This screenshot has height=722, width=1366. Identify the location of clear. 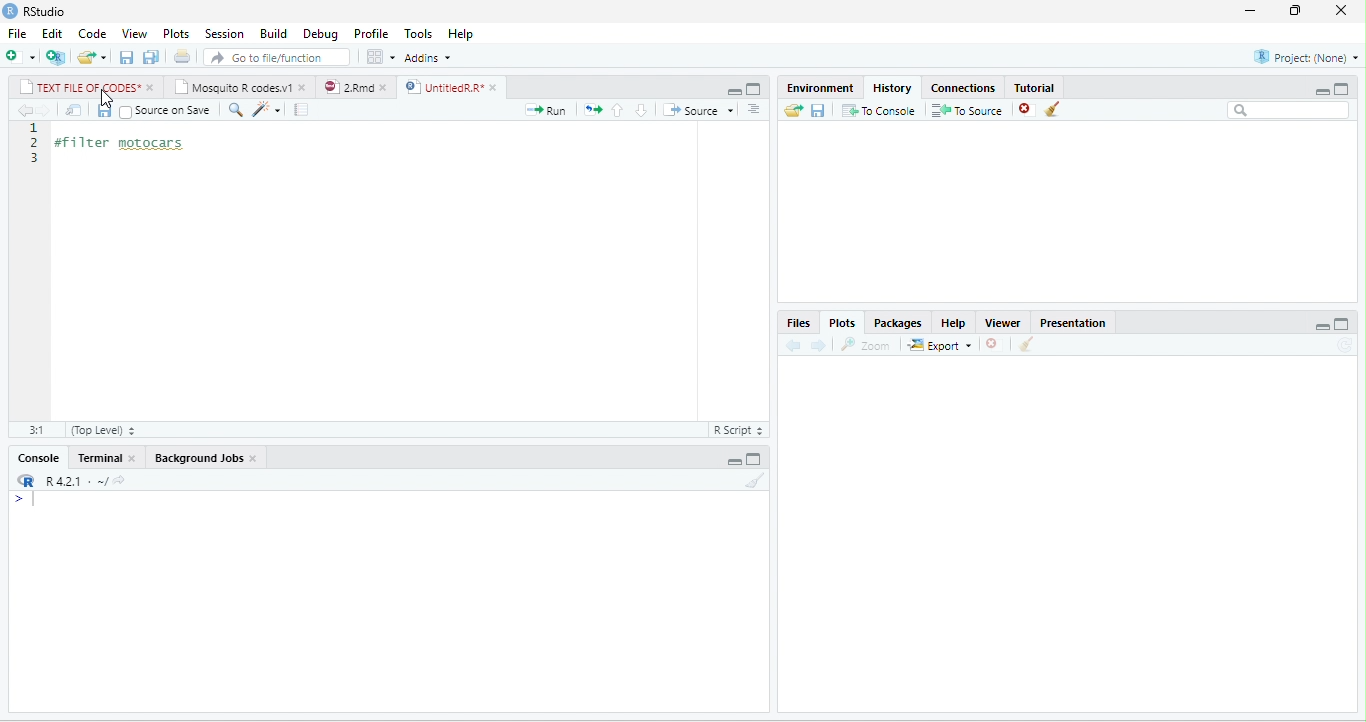
(1053, 108).